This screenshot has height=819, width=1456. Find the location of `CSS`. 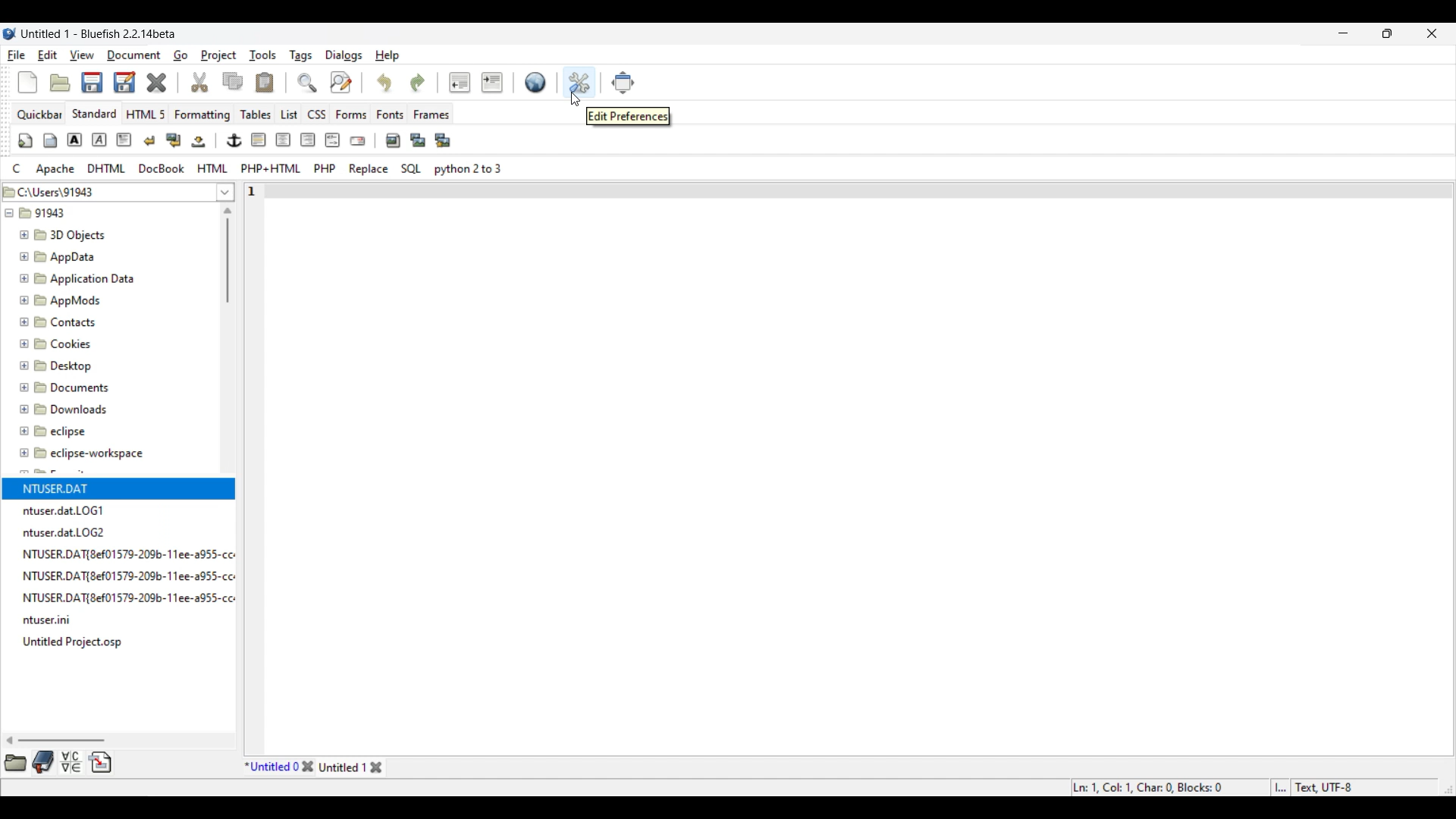

CSS is located at coordinates (318, 114).